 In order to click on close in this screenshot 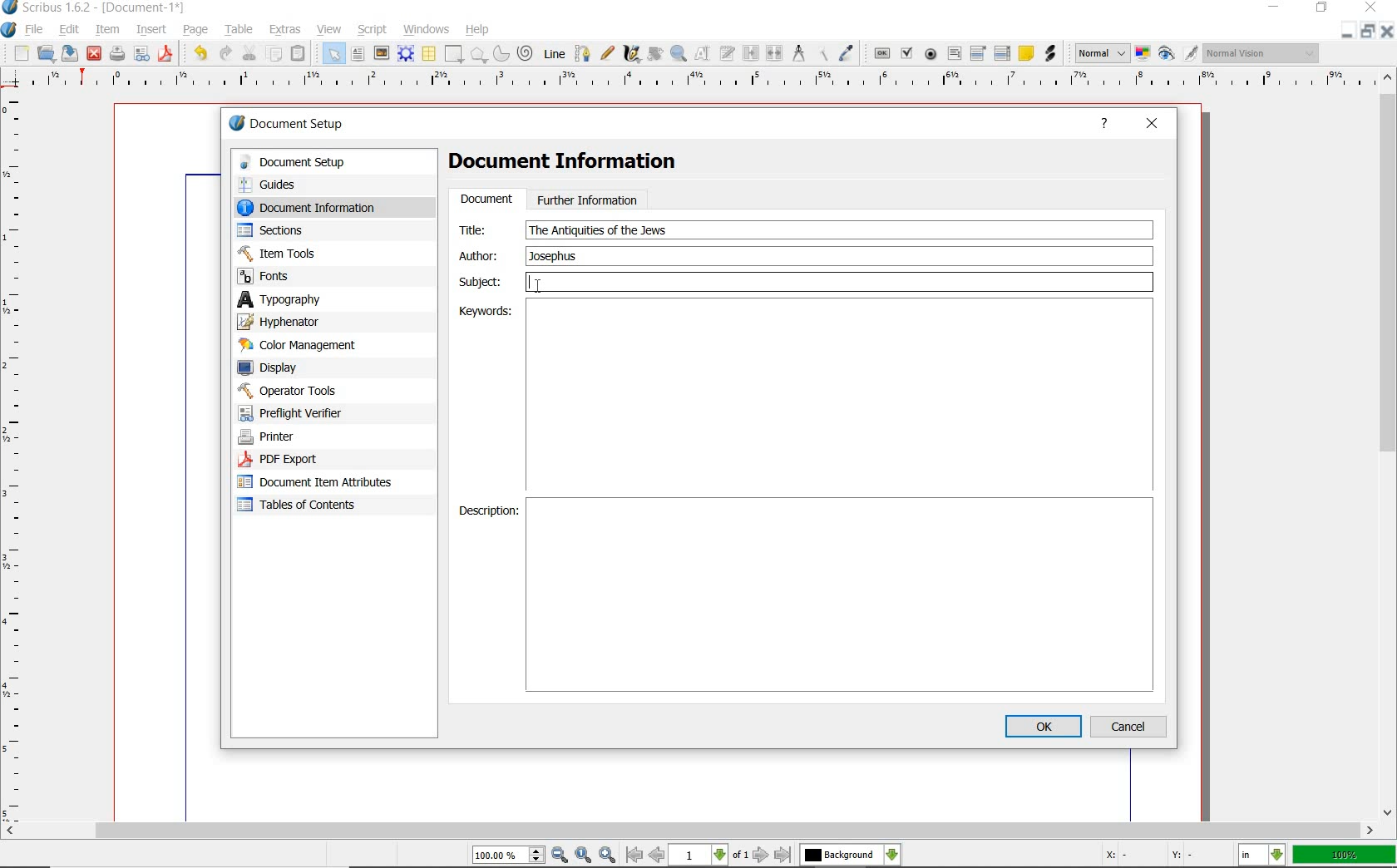, I will do `click(95, 55)`.